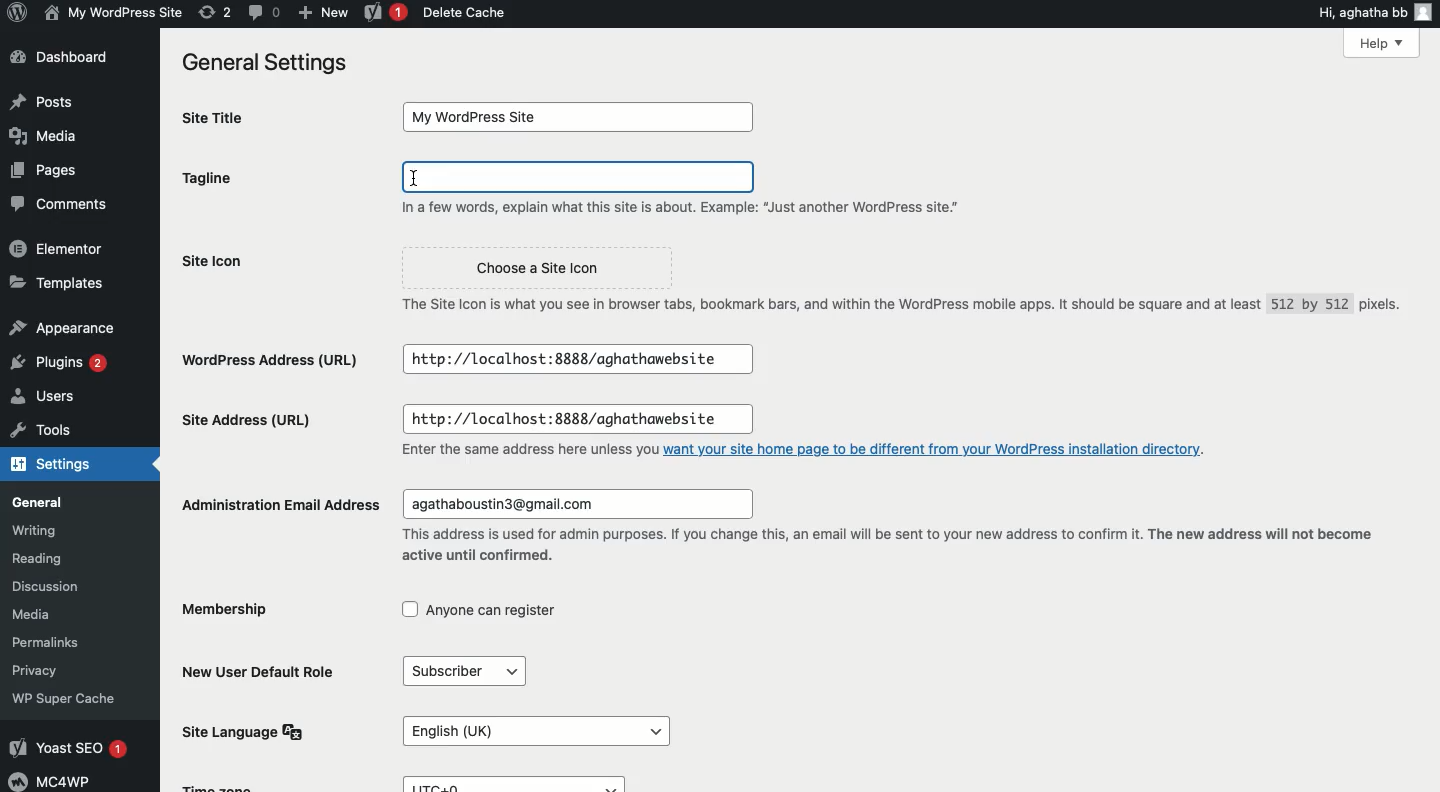 This screenshot has width=1440, height=792. What do you see at coordinates (43, 615) in the screenshot?
I see `Media` at bounding box center [43, 615].